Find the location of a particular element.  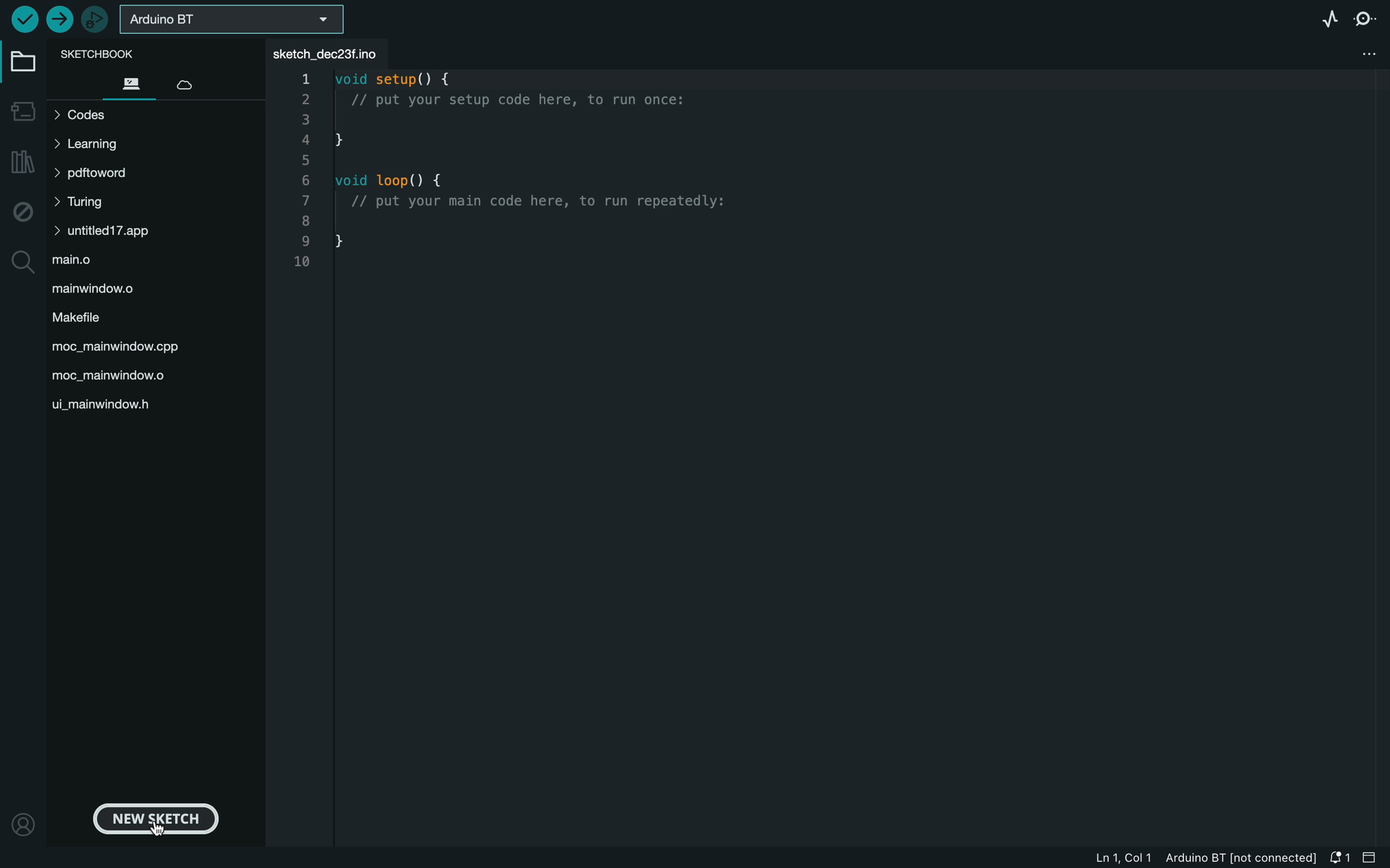

codes is located at coordinates (90, 115).